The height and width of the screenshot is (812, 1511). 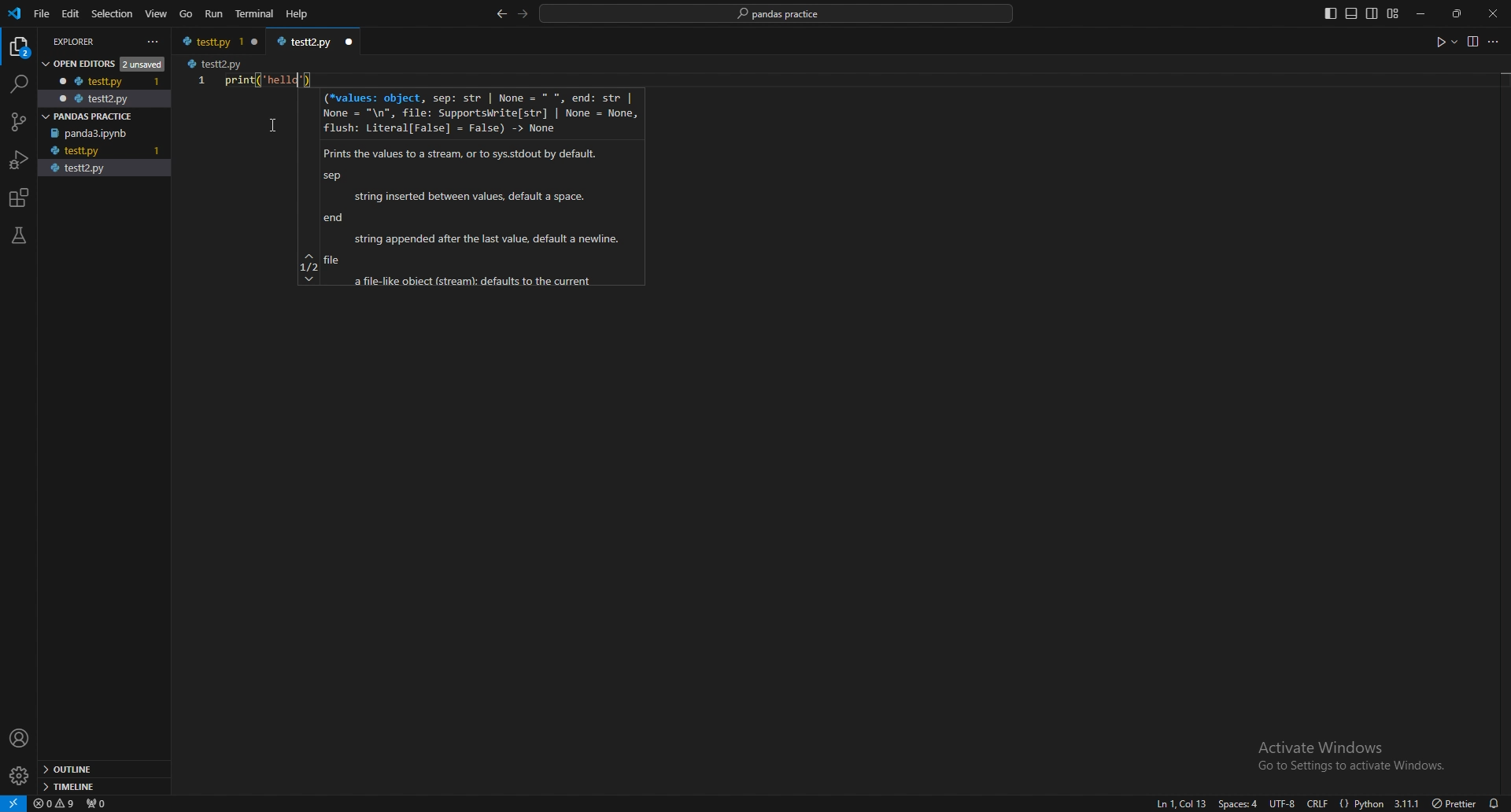 I want to click on timeline, so click(x=102, y=785).